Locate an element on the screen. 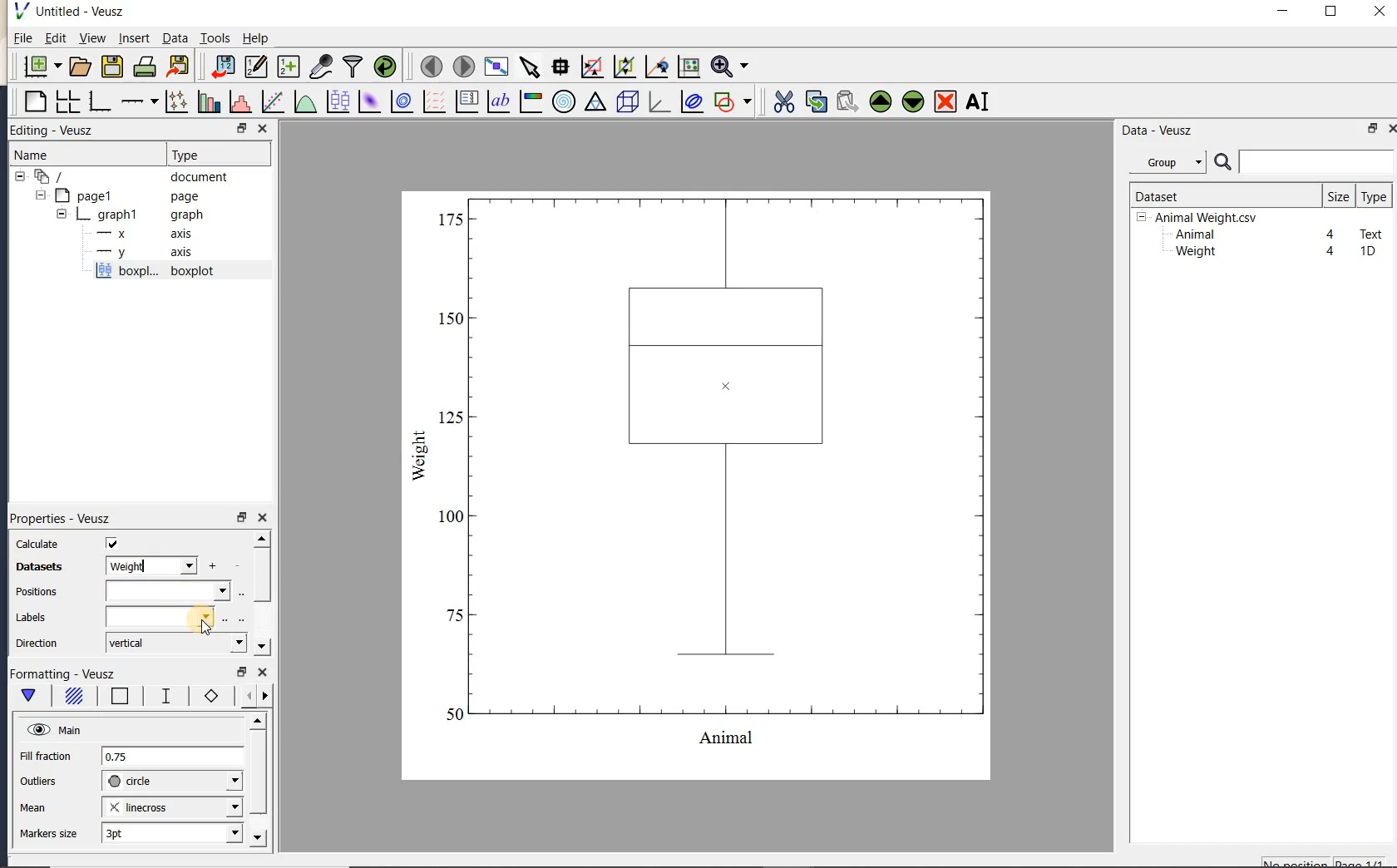  add an axis to the plot is located at coordinates (139, 101).